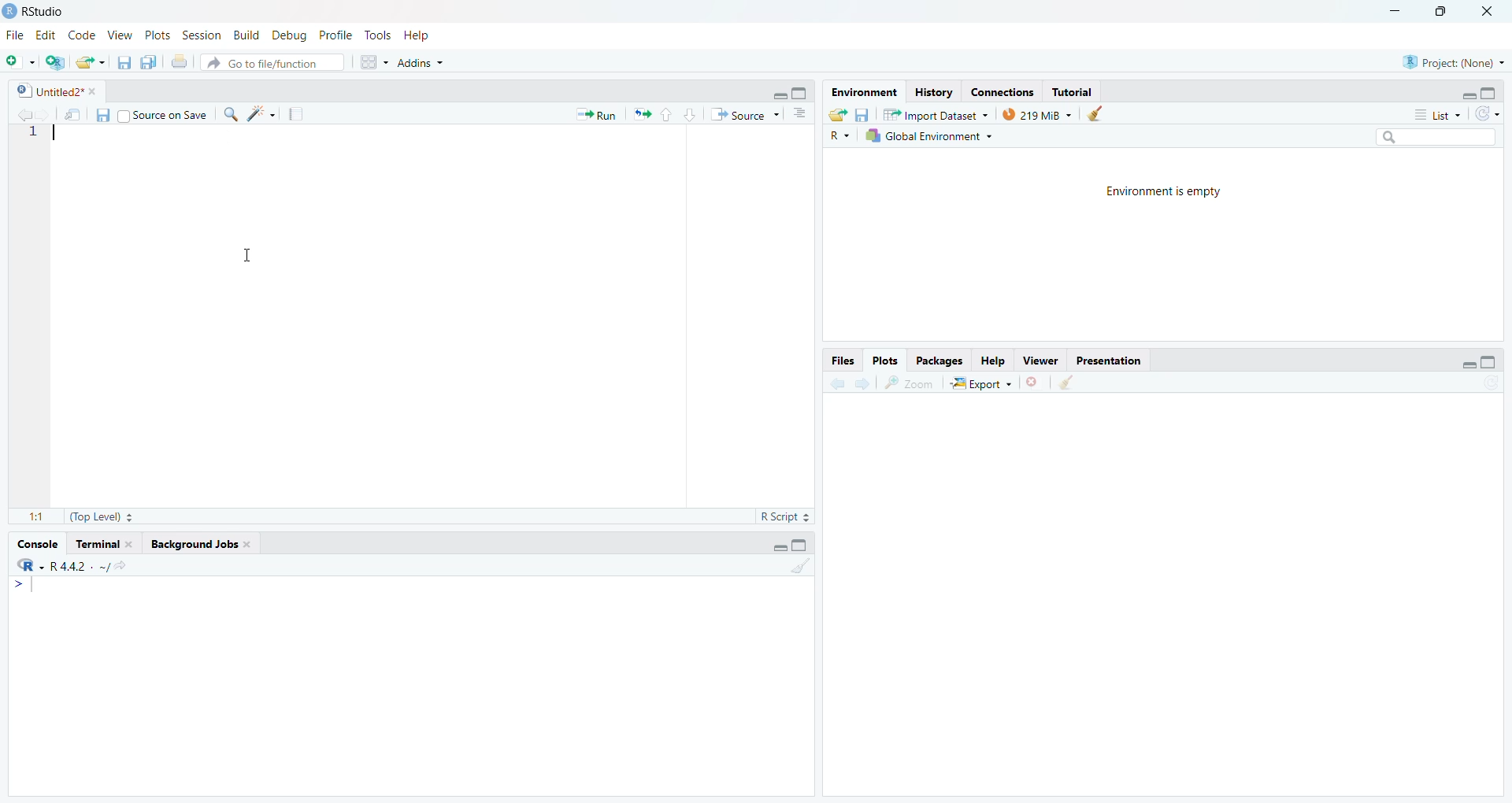 This screenshot has width=1512, height=803. What do you see at coordinates (909, 383) in the screenshot?
I see `Zoom` at bounding box center [909, 383].